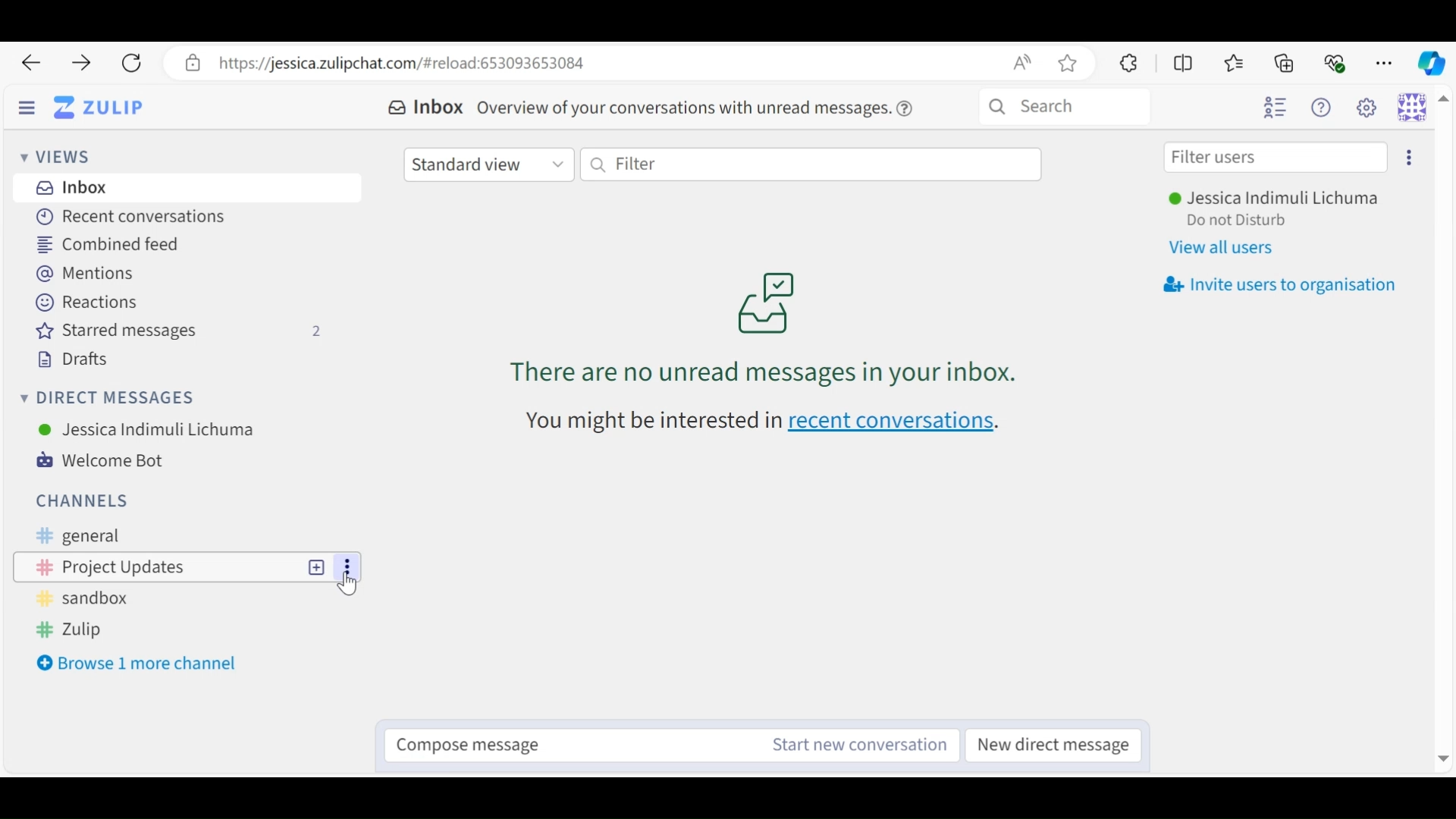 This screenshot has height=819, width=1456. Describe the element at coordinates (1386, 63) in the screenshot. I see `Settigs and more` at that location.